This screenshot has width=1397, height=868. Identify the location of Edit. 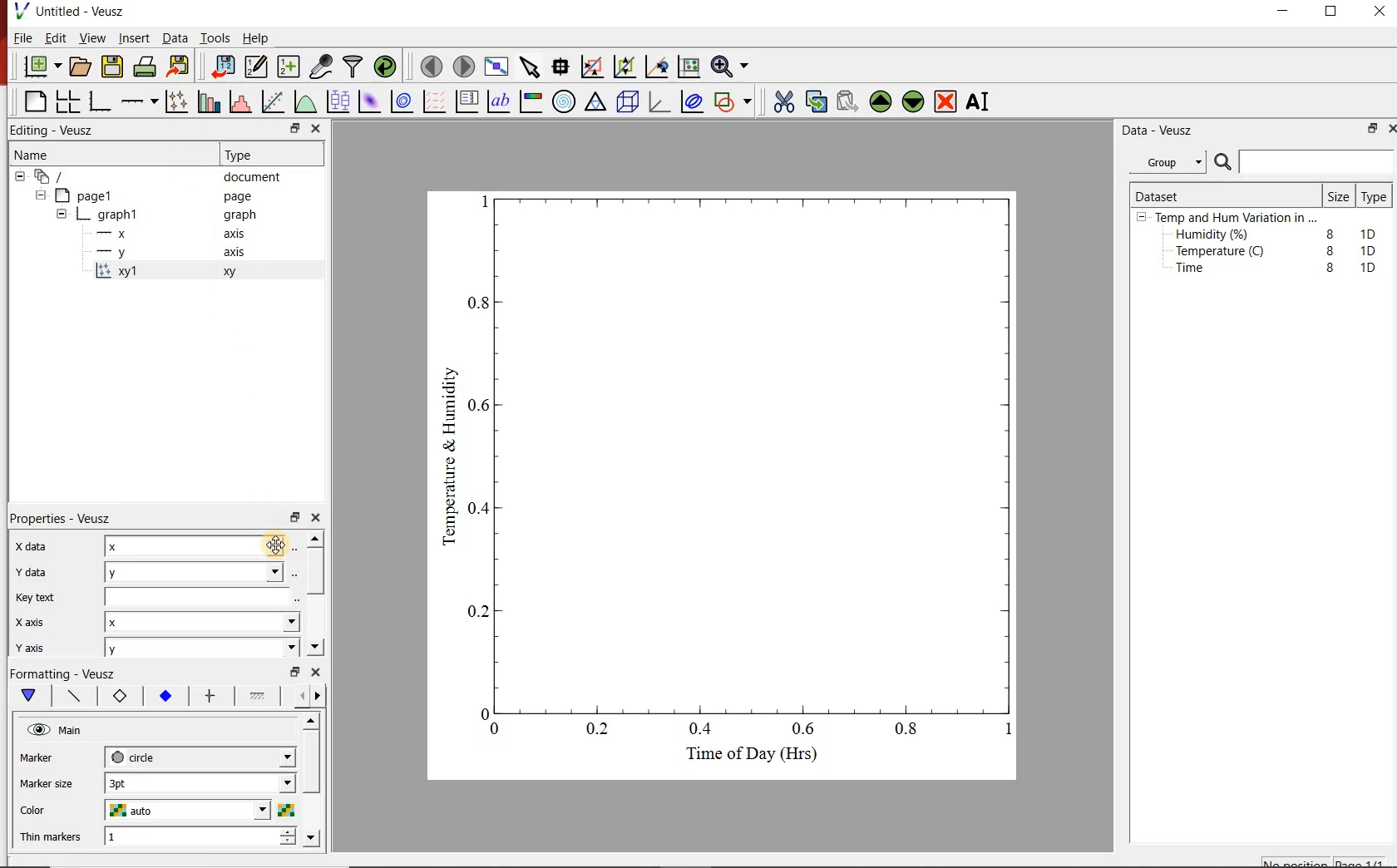
(56, 40).